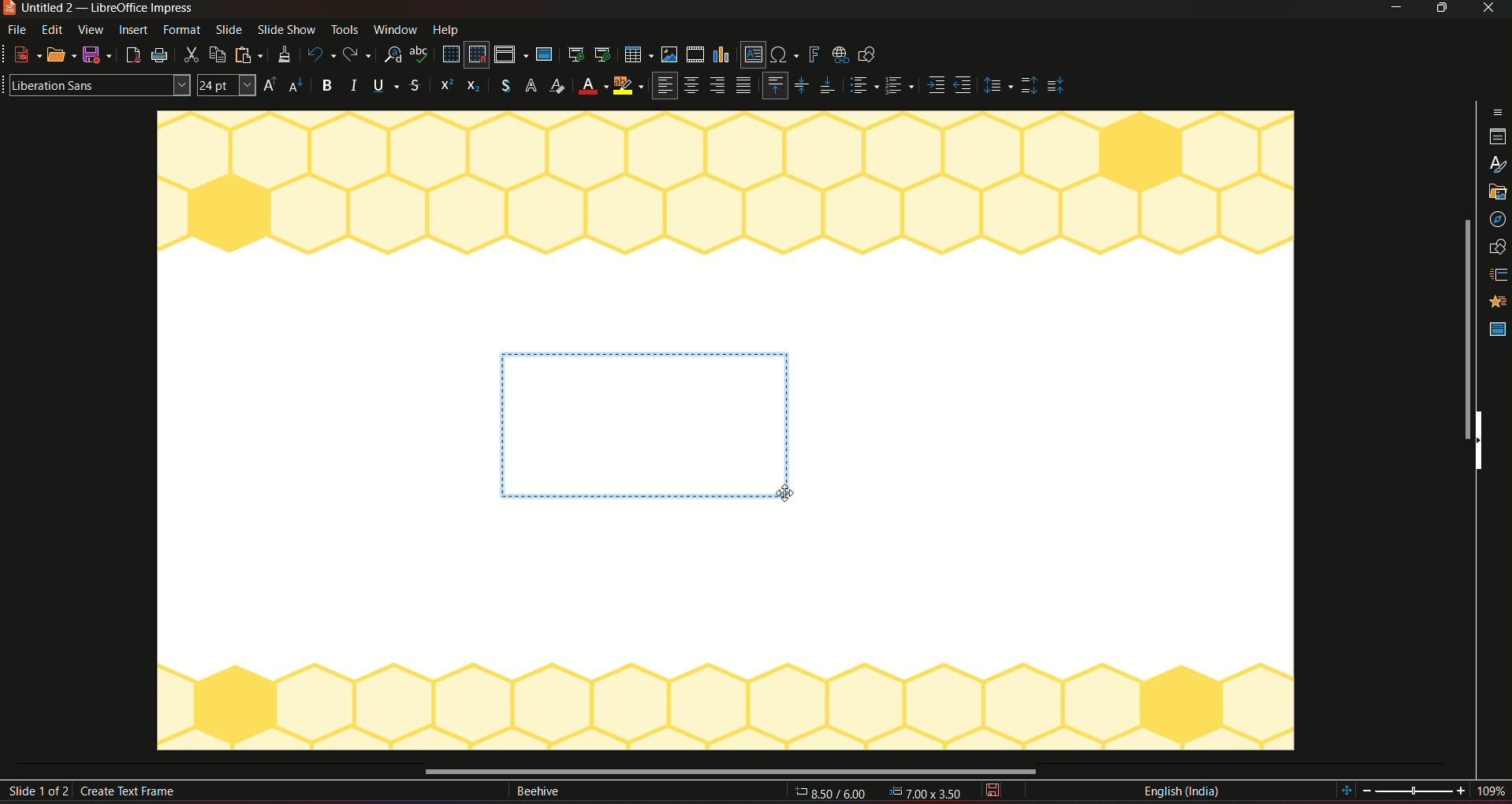 This screenshot has height=804, width=1512. What do you see at coordinates (872, 56) in the screenshot?
I see `show draw functions` at bounding box center [872, 56].